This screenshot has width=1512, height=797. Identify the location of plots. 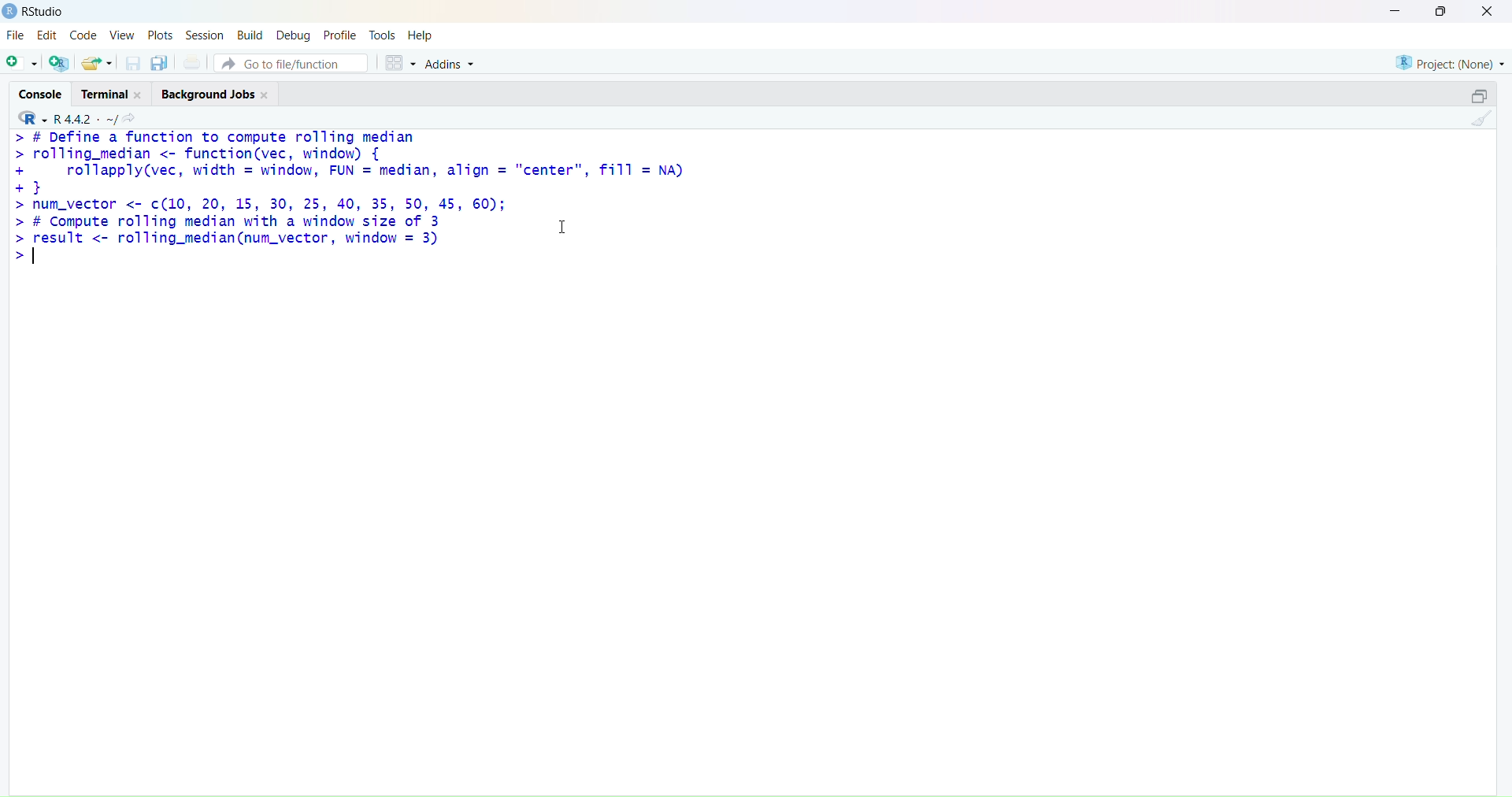
(162, 35).